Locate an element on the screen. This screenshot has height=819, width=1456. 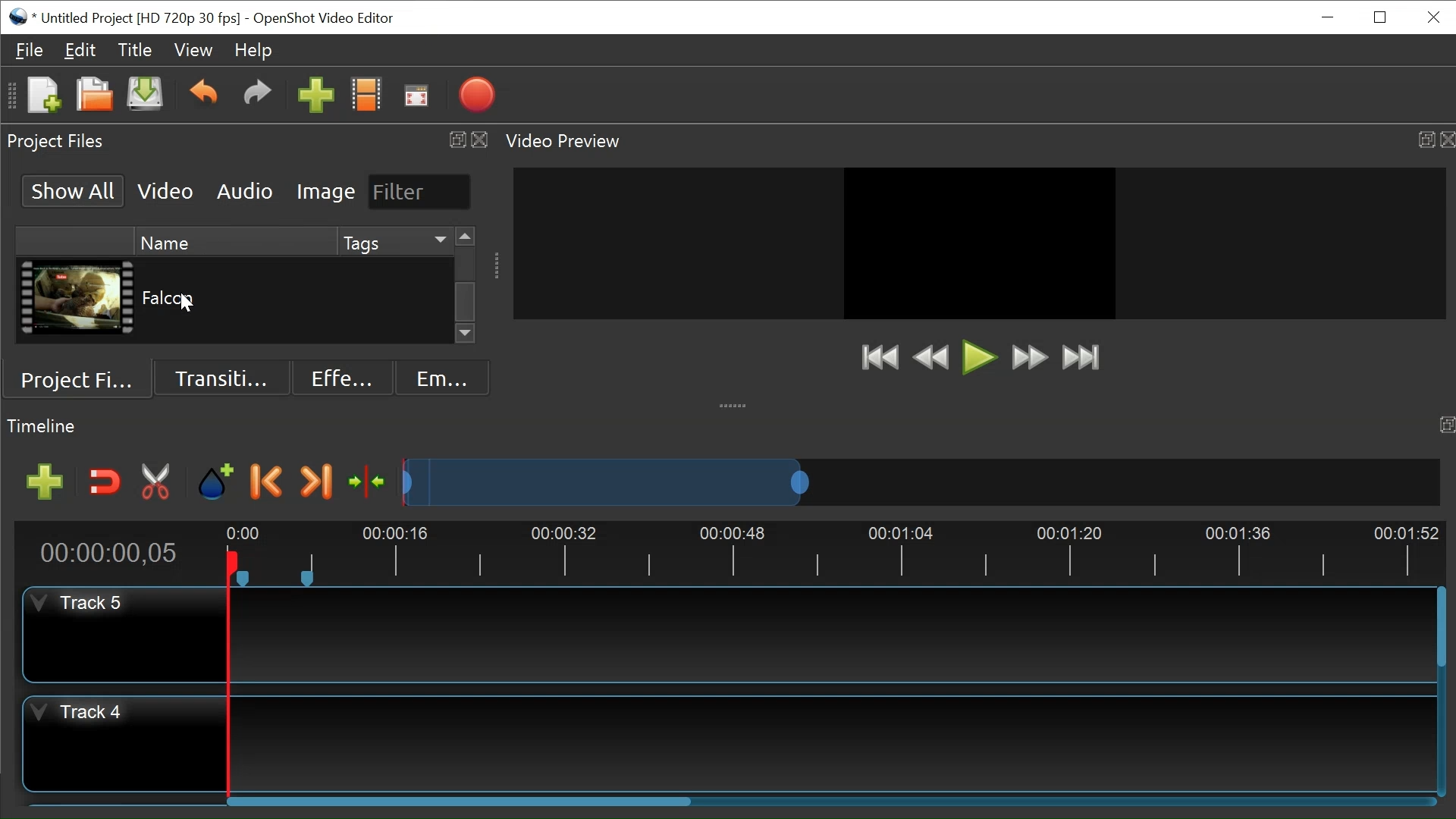
Marker is located at coordinates (217, 482).